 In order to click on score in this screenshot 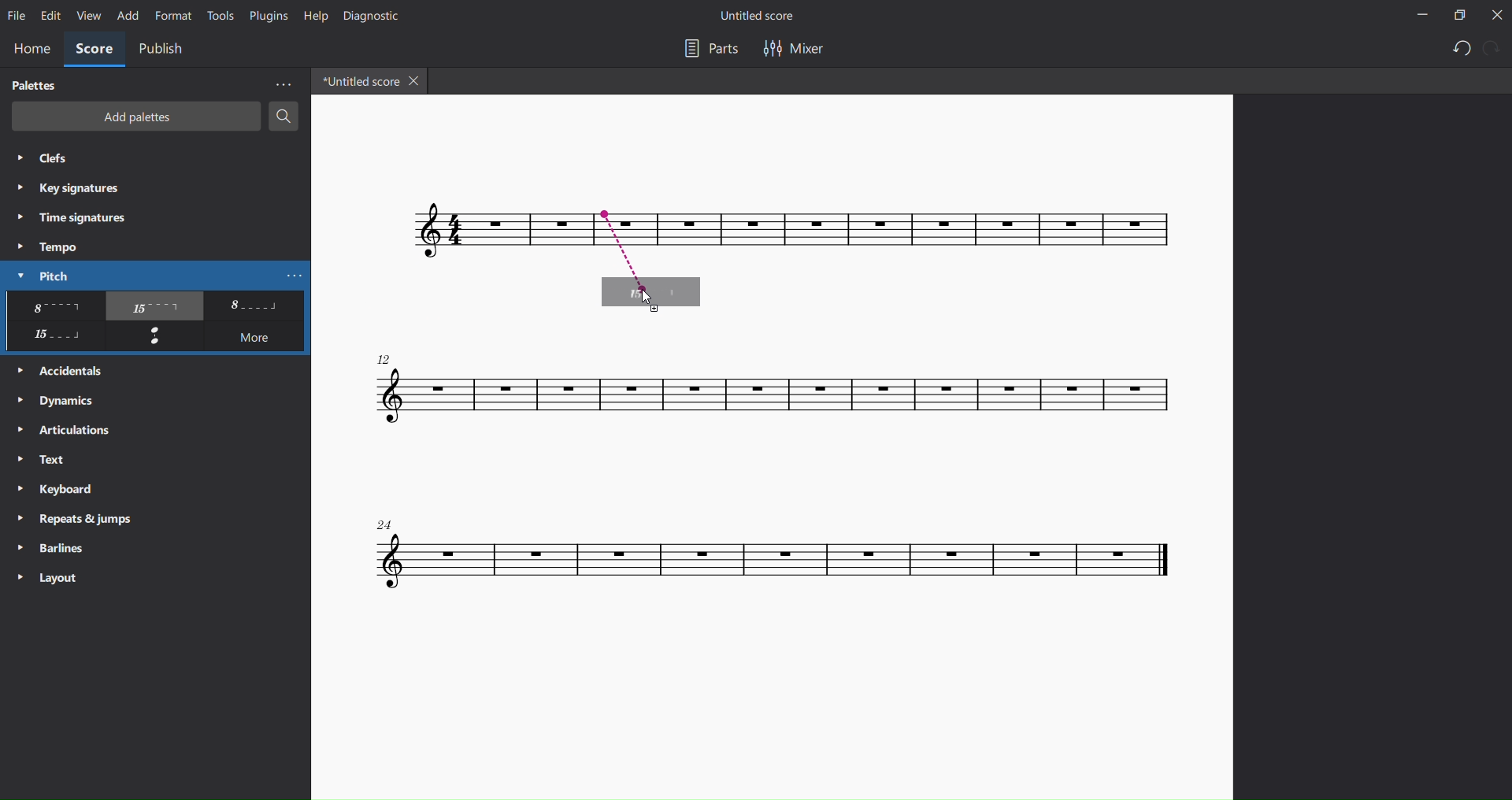, I will do `click(1062, 231)`.